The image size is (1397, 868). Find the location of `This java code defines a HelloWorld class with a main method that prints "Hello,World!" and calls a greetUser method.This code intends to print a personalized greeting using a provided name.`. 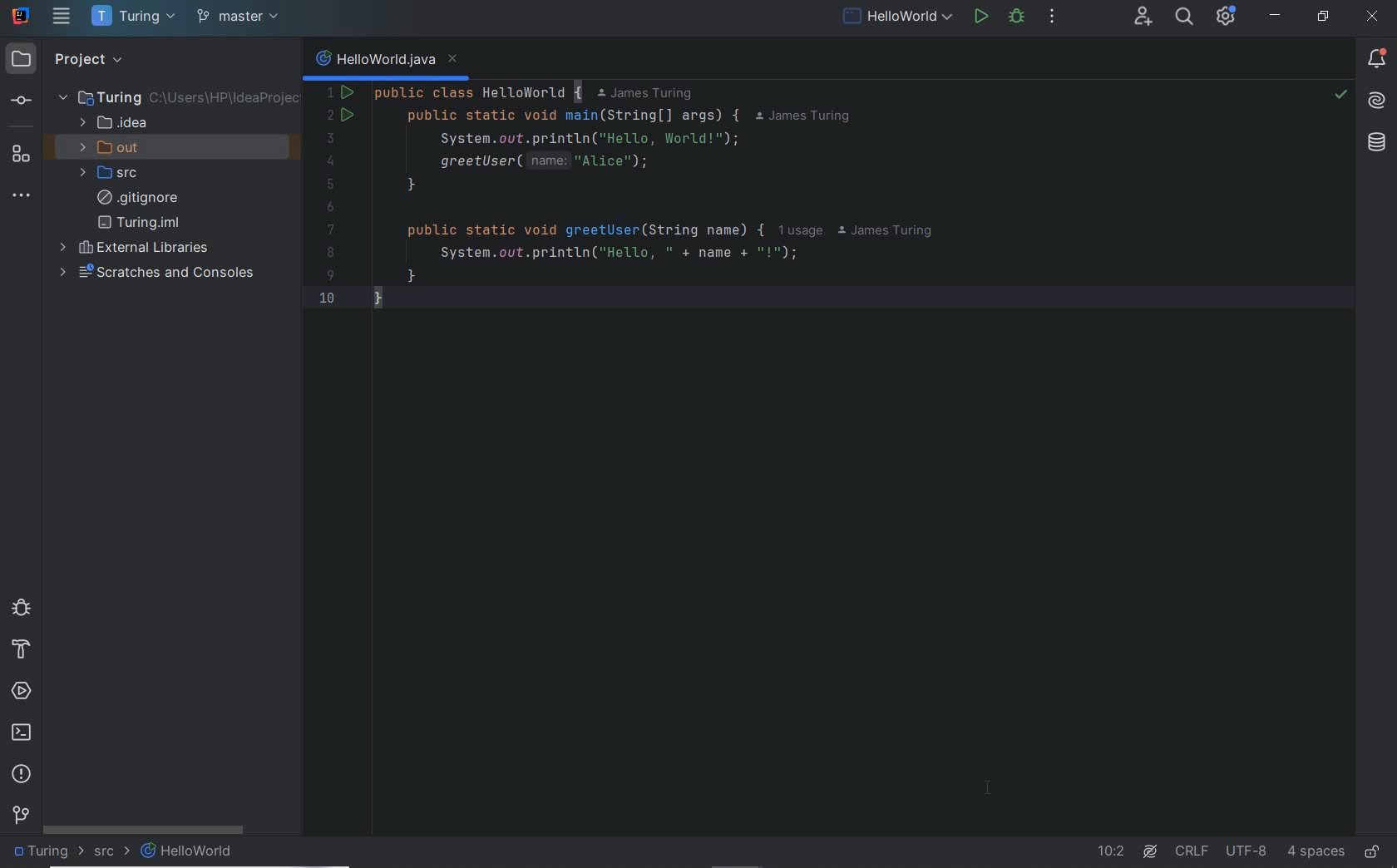

This java code defines a HelloWorld class with a main method that prints "Hello,World!" and calls a greetUser method.This code intends to print a personalized greeting using a provided name. is located at coordinates (703, 206).